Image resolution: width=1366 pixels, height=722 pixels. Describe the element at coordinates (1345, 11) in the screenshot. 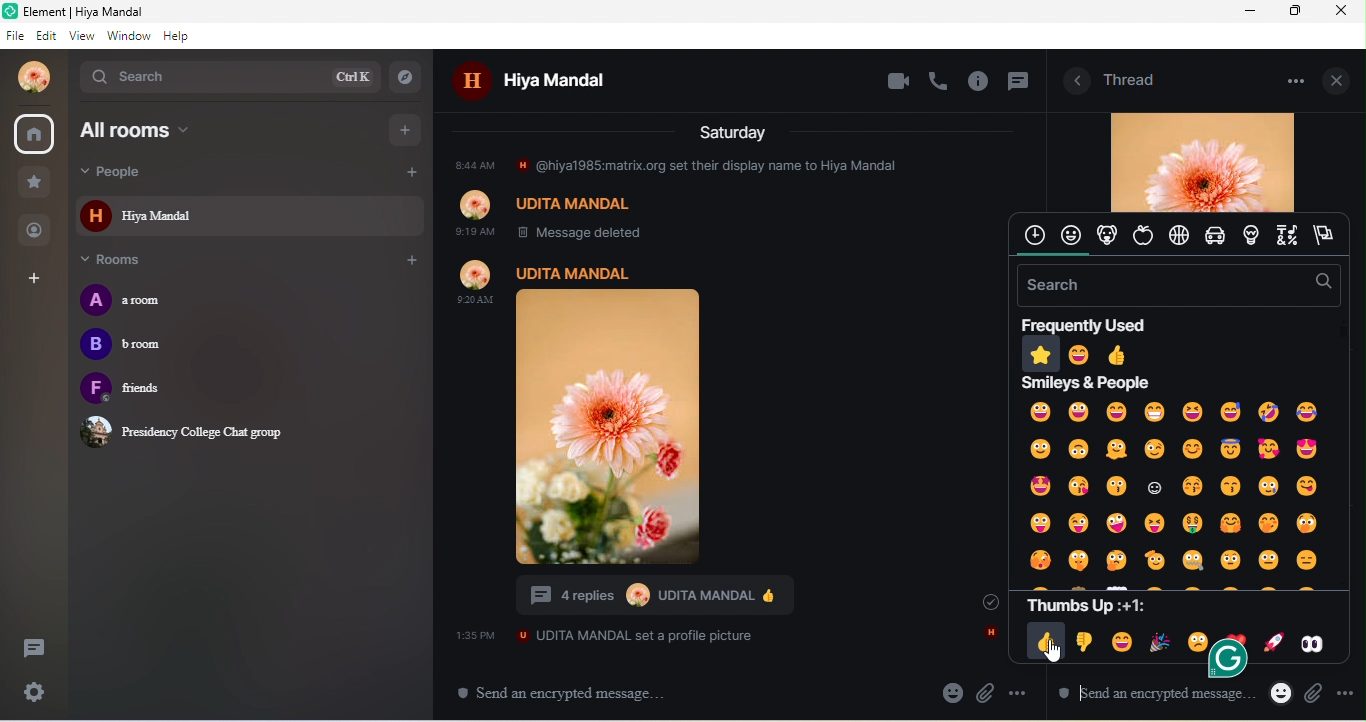

I see `close` at that location.